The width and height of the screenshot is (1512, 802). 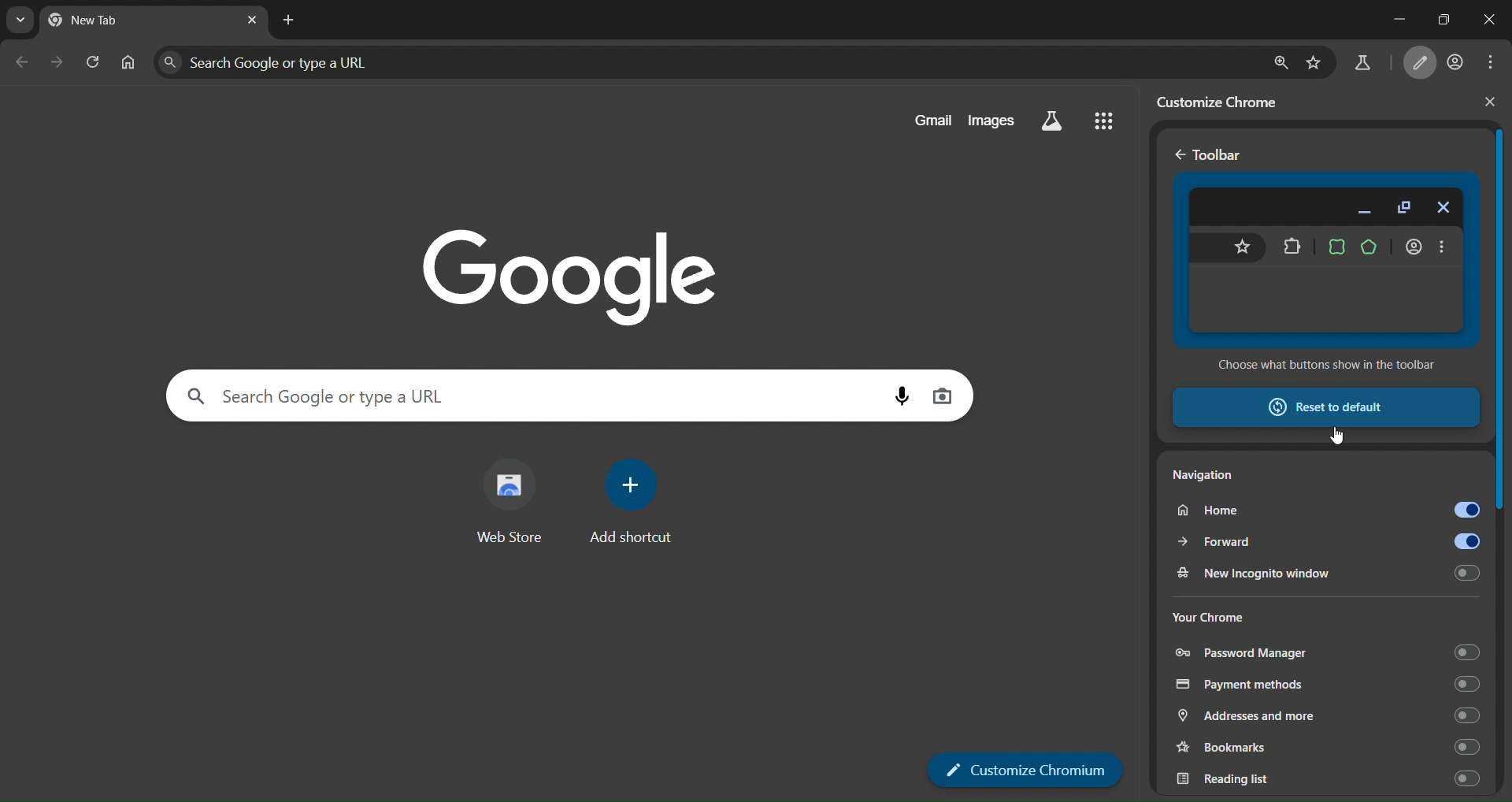 I want to click on gmail, so click(x=927, y=121).